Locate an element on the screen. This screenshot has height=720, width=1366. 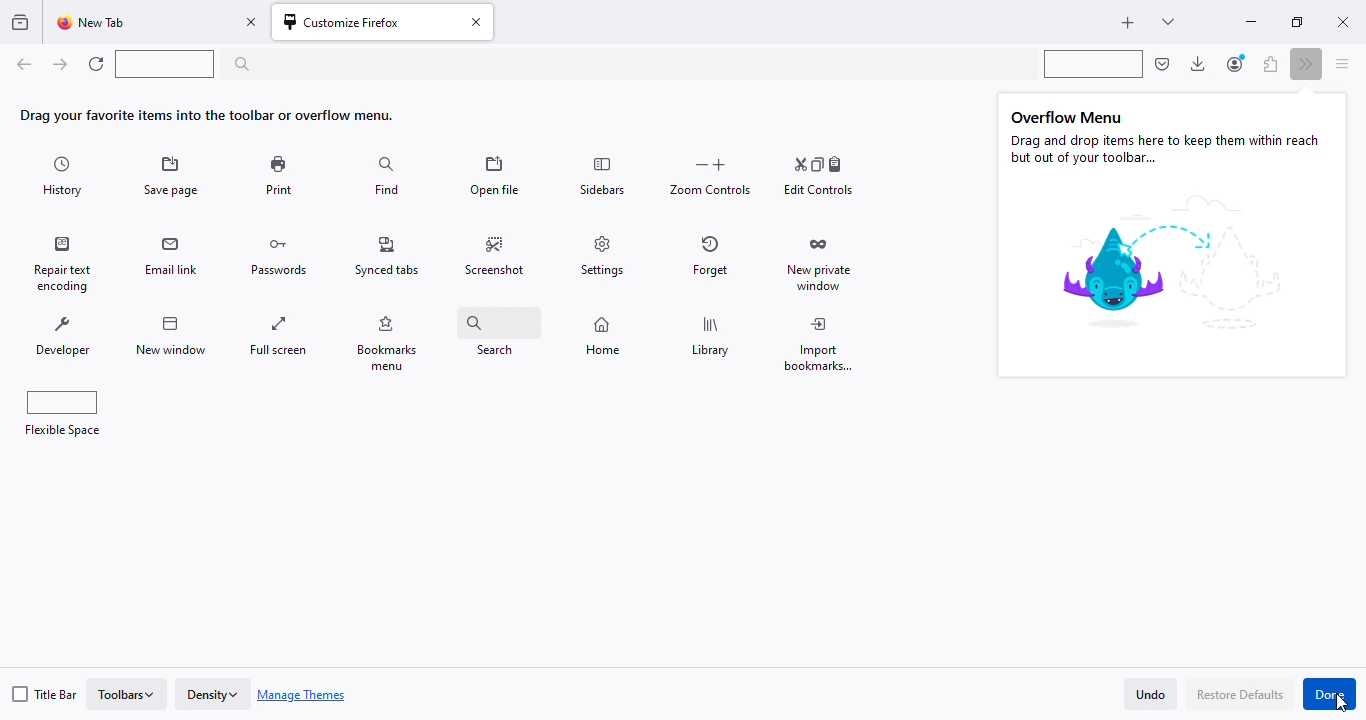
extensions is located at coordinates (1270, 64).